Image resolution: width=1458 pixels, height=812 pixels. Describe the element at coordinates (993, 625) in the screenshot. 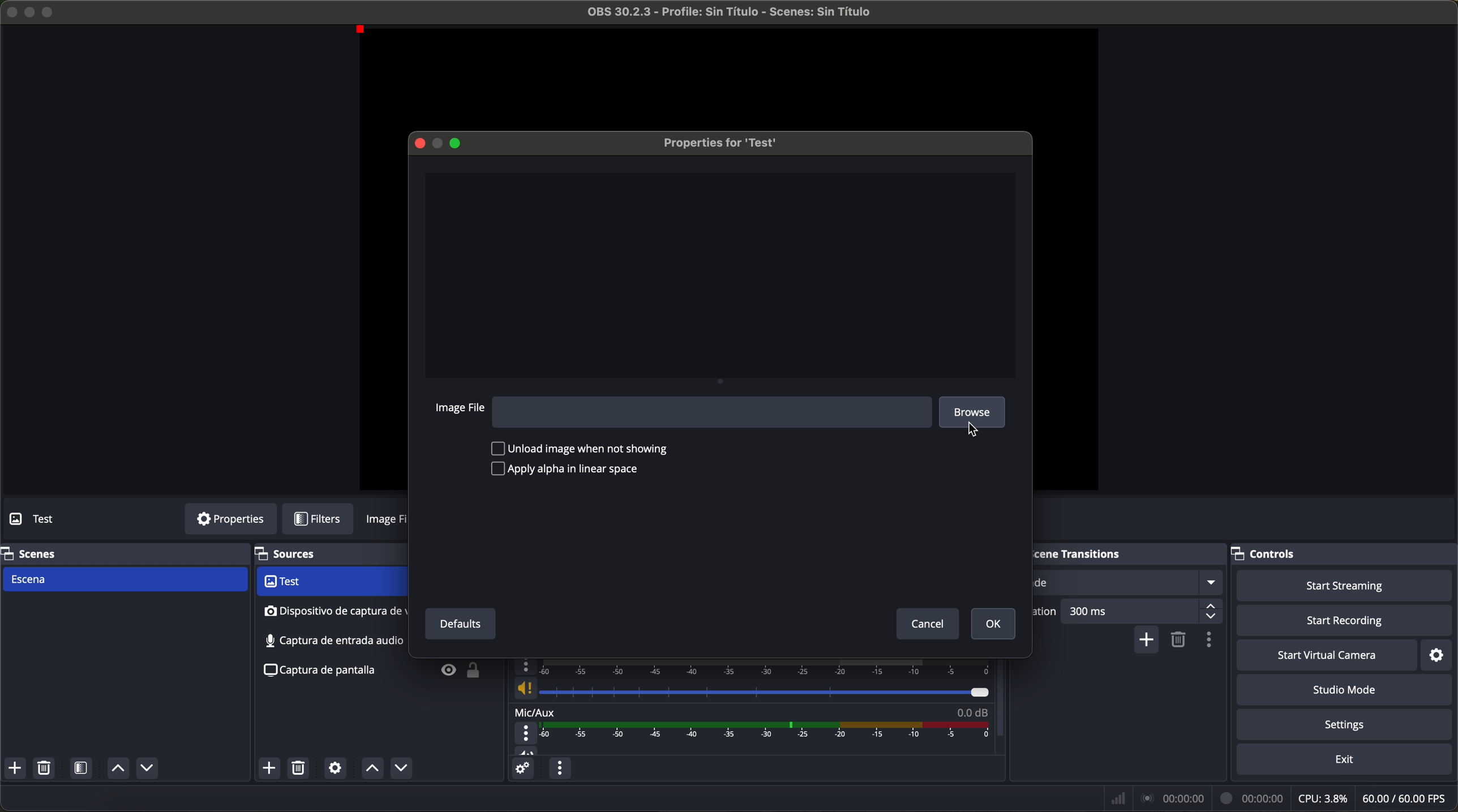

I see `OK` at that location.